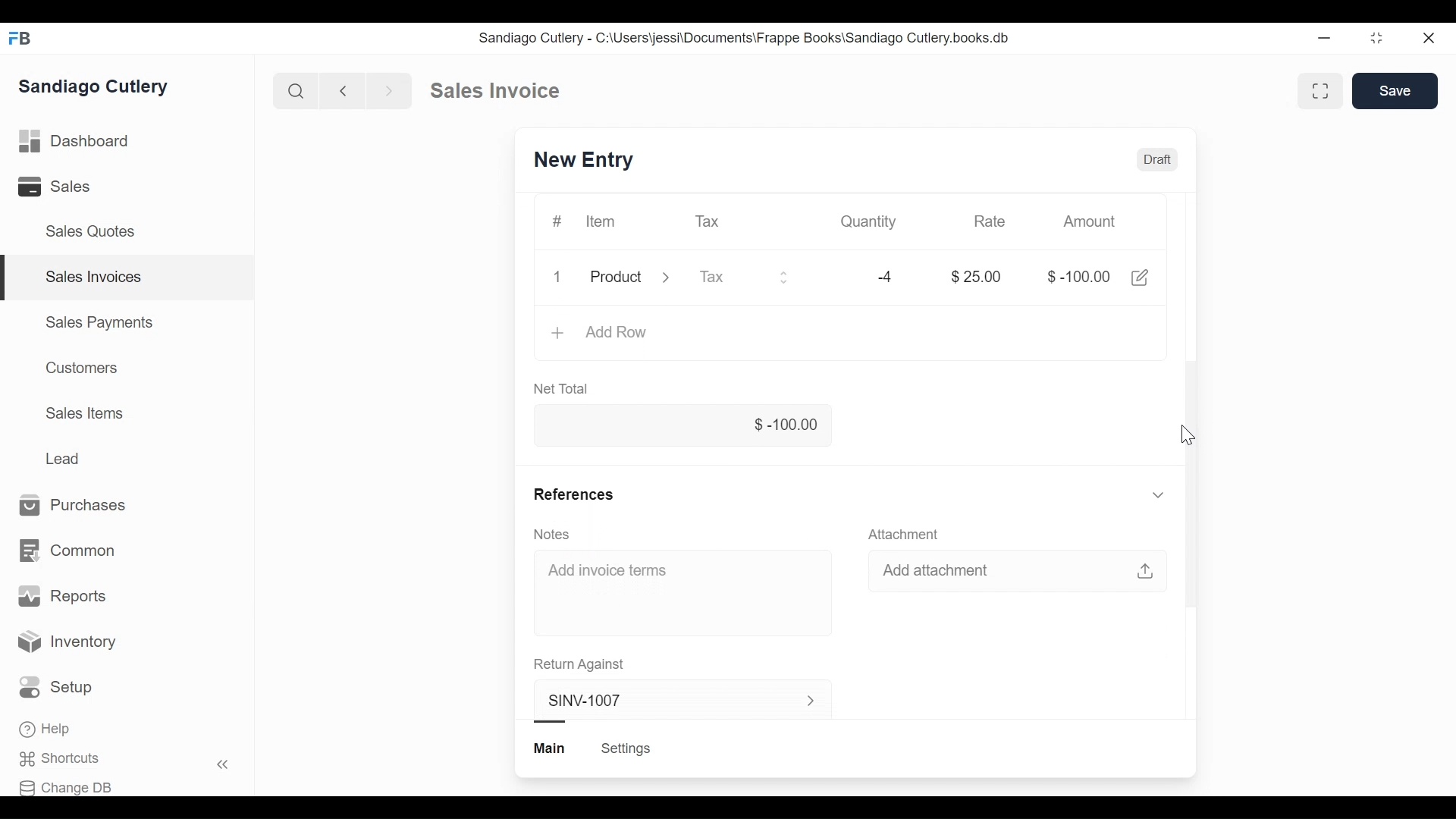 The width and height of the screenshot is (1456, 819). What do you see at coordinates (871, 221) in the screenshot?
I see `Quantity` at bounding box center [871, 221].